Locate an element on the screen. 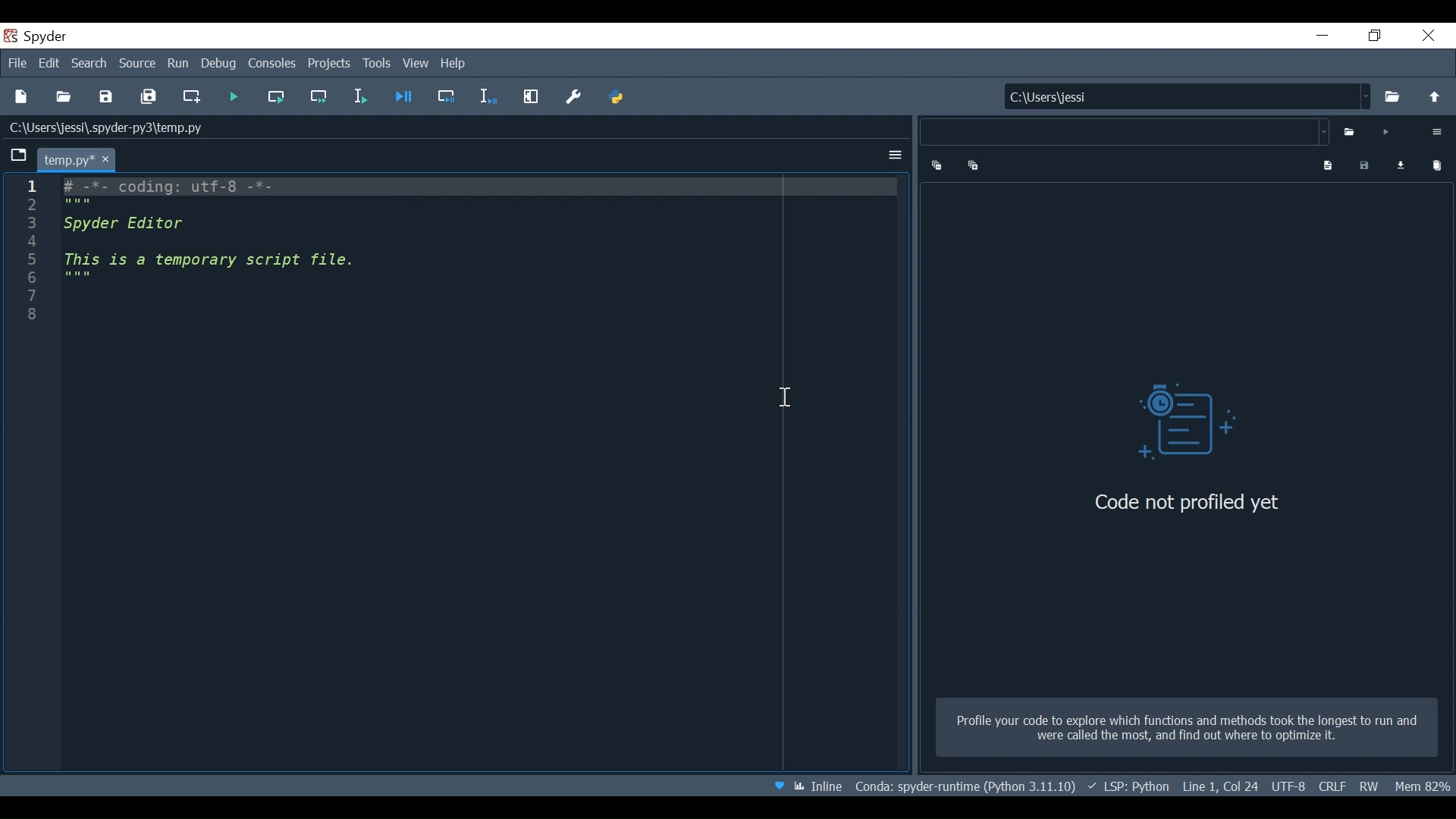 The width and height of the screenshot is (1456, 819). Run is located at coordinates (233, 98).